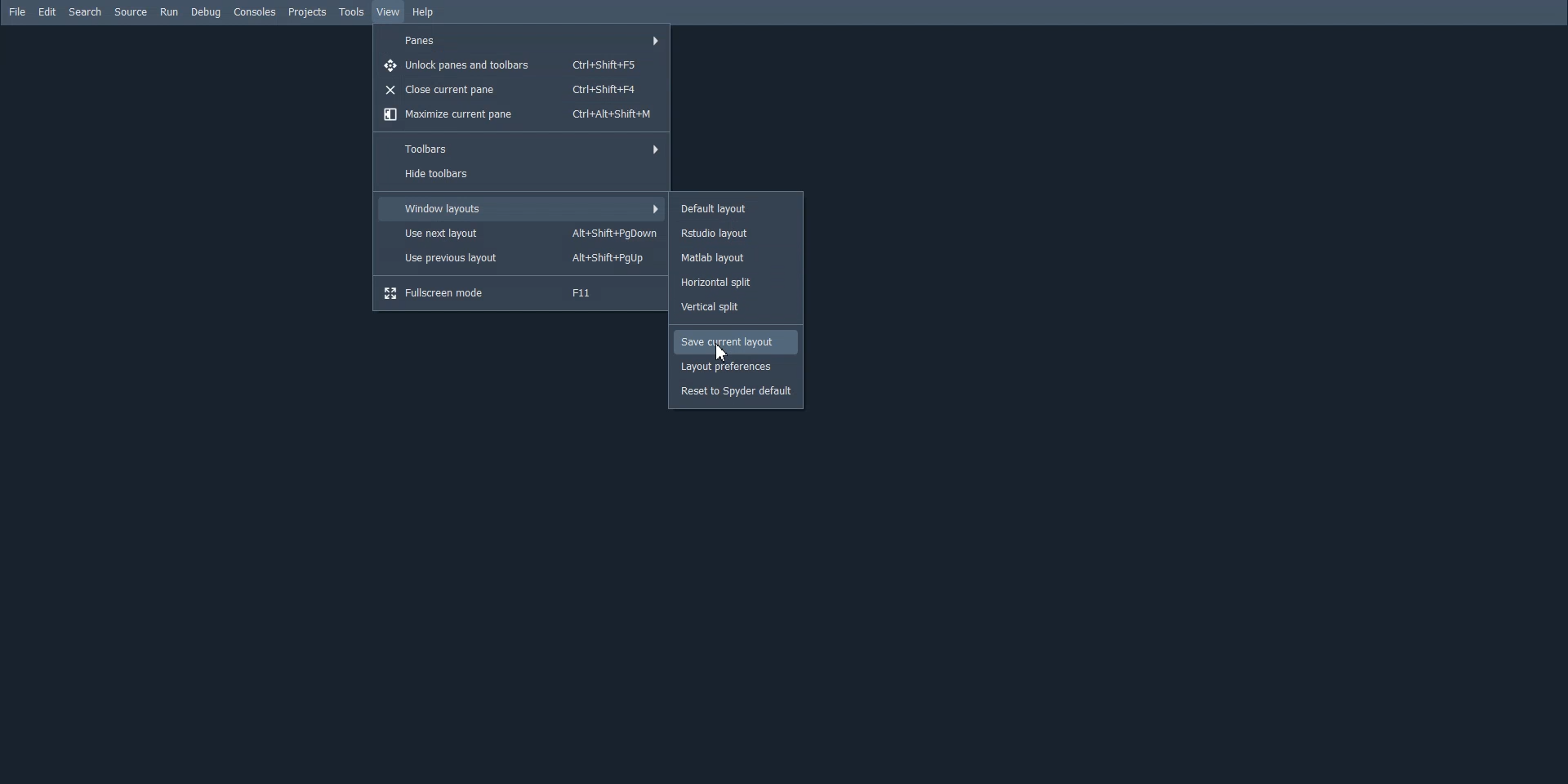 The height and width of the screenshot is (784, 1568). What do you see at coordinates (521, 293) in the screenshot?
I see `Fullscreen mode` at bounding box center [521, 293].